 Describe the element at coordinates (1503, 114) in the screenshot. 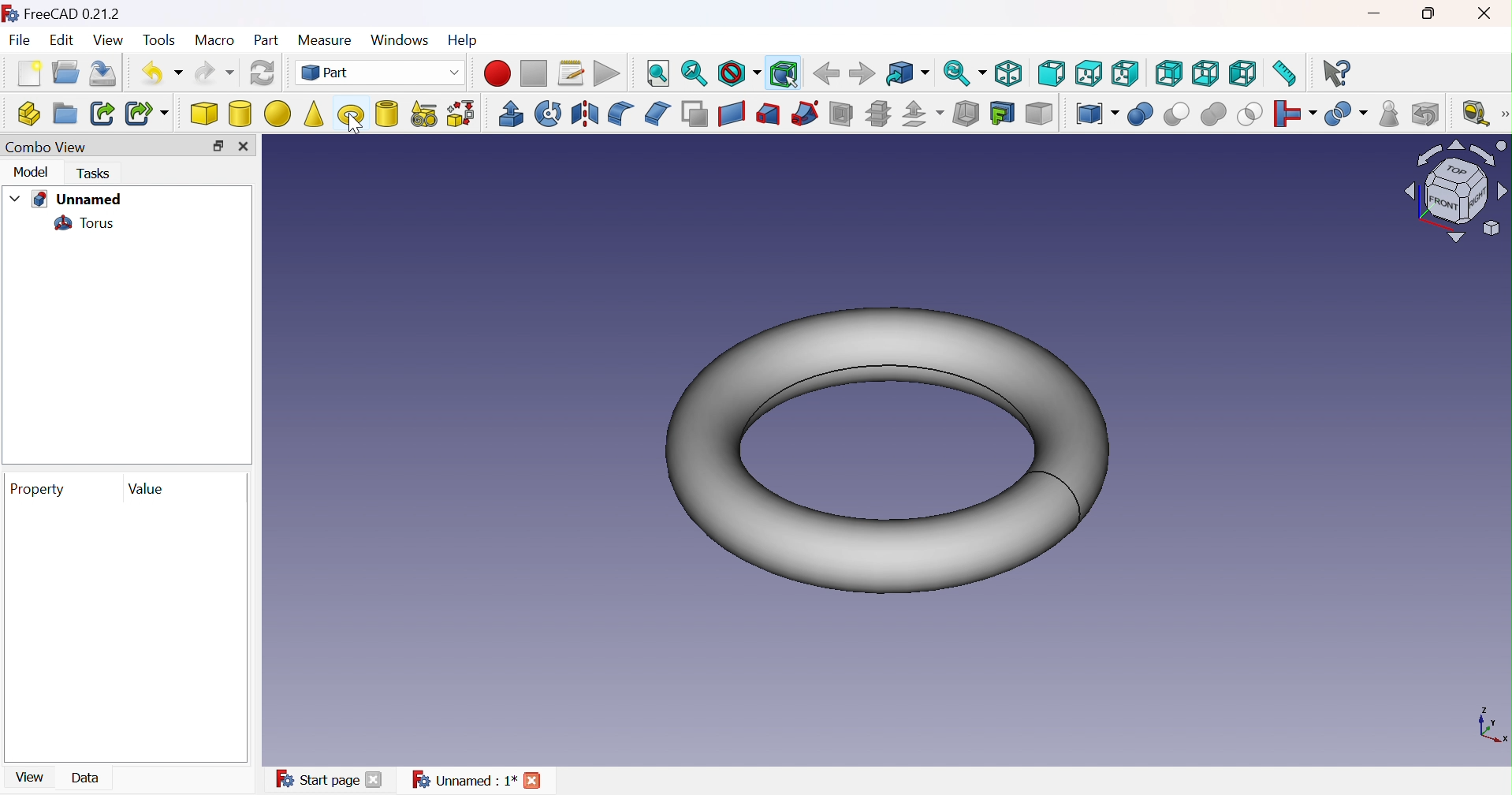

I see `[Measure]` at that location.